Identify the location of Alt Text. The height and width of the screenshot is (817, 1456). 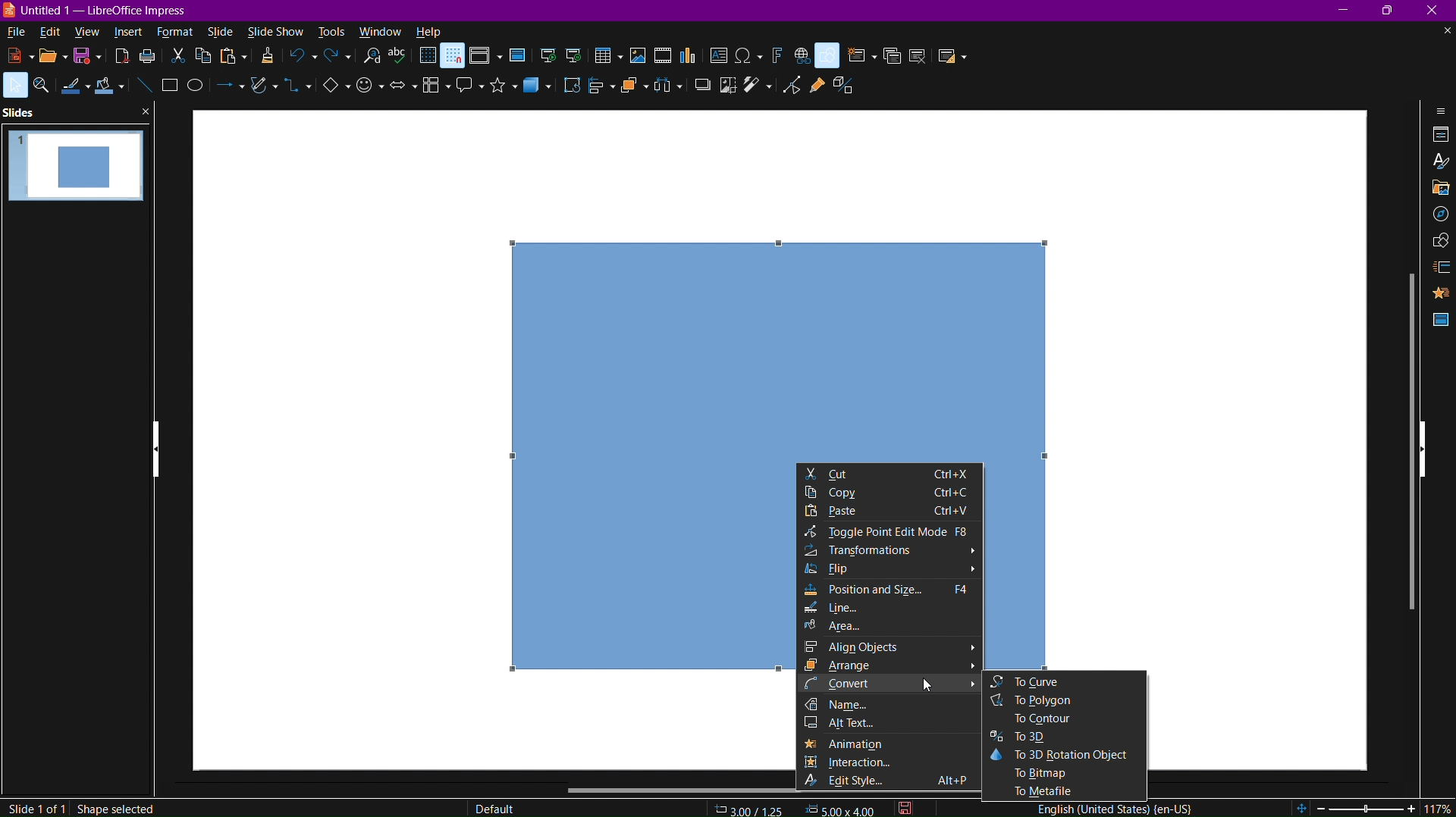
(891, 725).